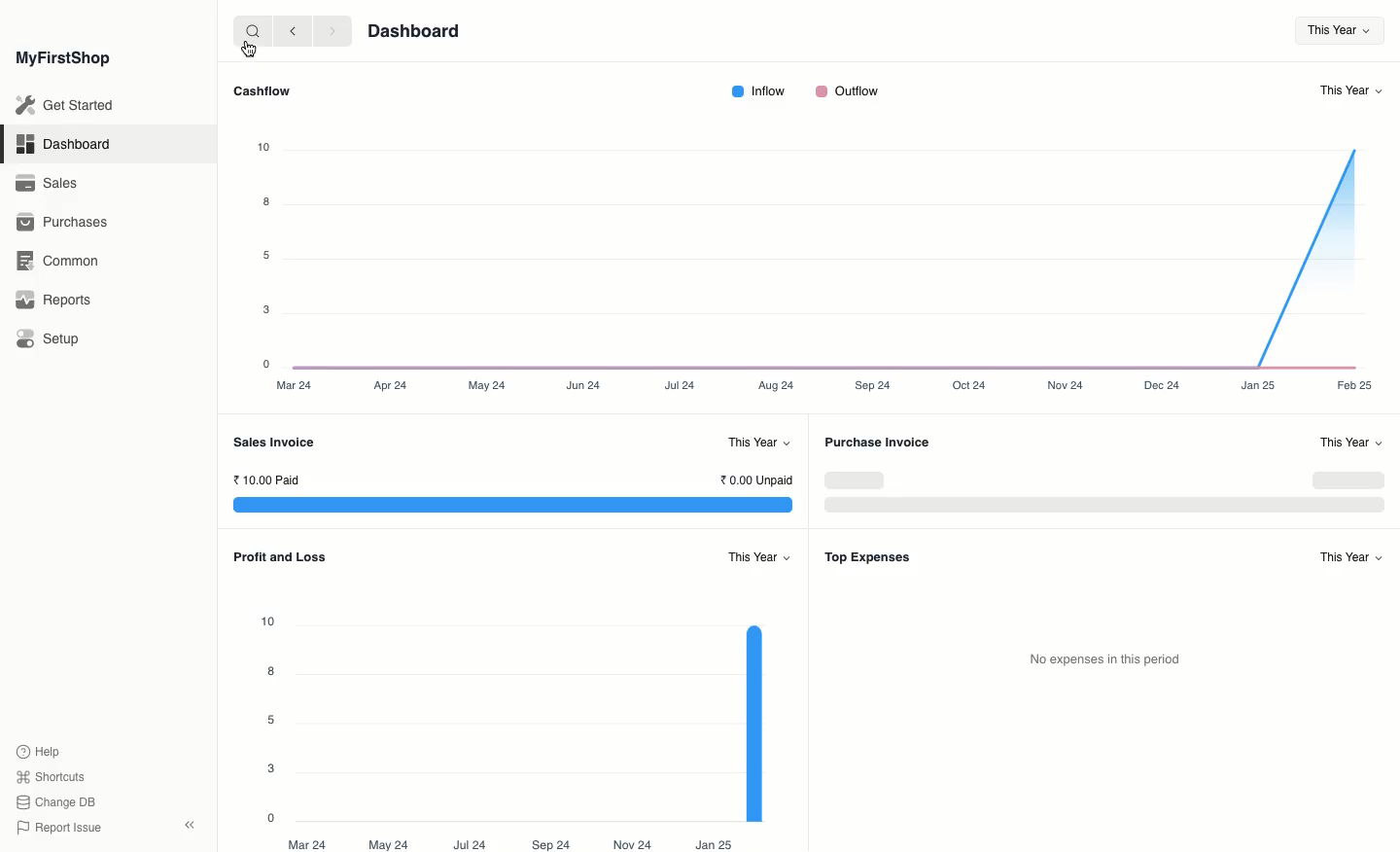  Describe the element at coordinates (56, 261) in the screenshot. I see `Common` at that location.